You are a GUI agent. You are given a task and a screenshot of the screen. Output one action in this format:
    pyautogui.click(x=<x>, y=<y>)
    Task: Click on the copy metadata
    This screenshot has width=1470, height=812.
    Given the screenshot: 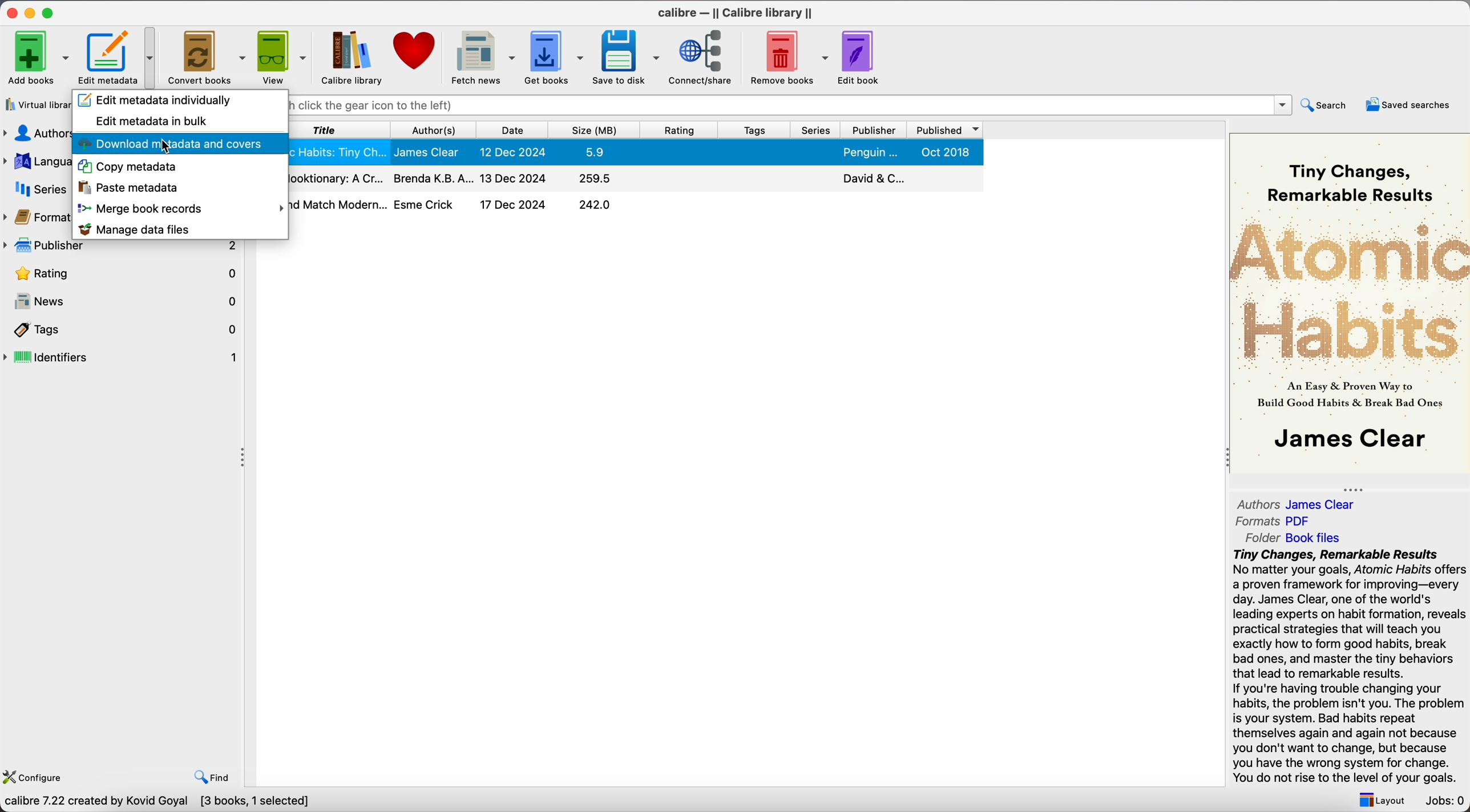 What is the action you would take?
    pyautogui.click(x=128, y=167)
    